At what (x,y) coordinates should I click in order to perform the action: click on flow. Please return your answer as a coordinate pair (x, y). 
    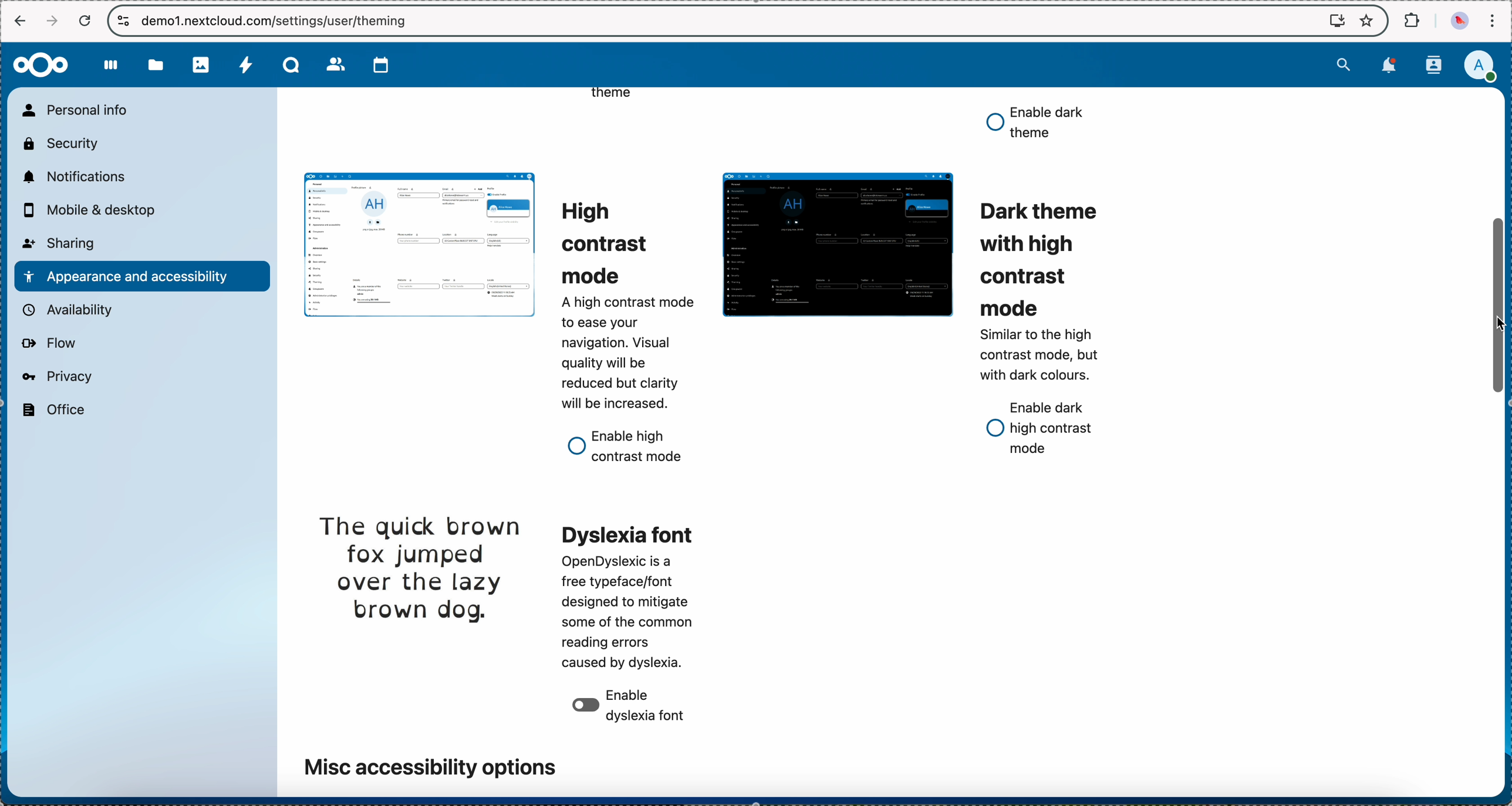
    Looking at the image, I should click on (50, 345).